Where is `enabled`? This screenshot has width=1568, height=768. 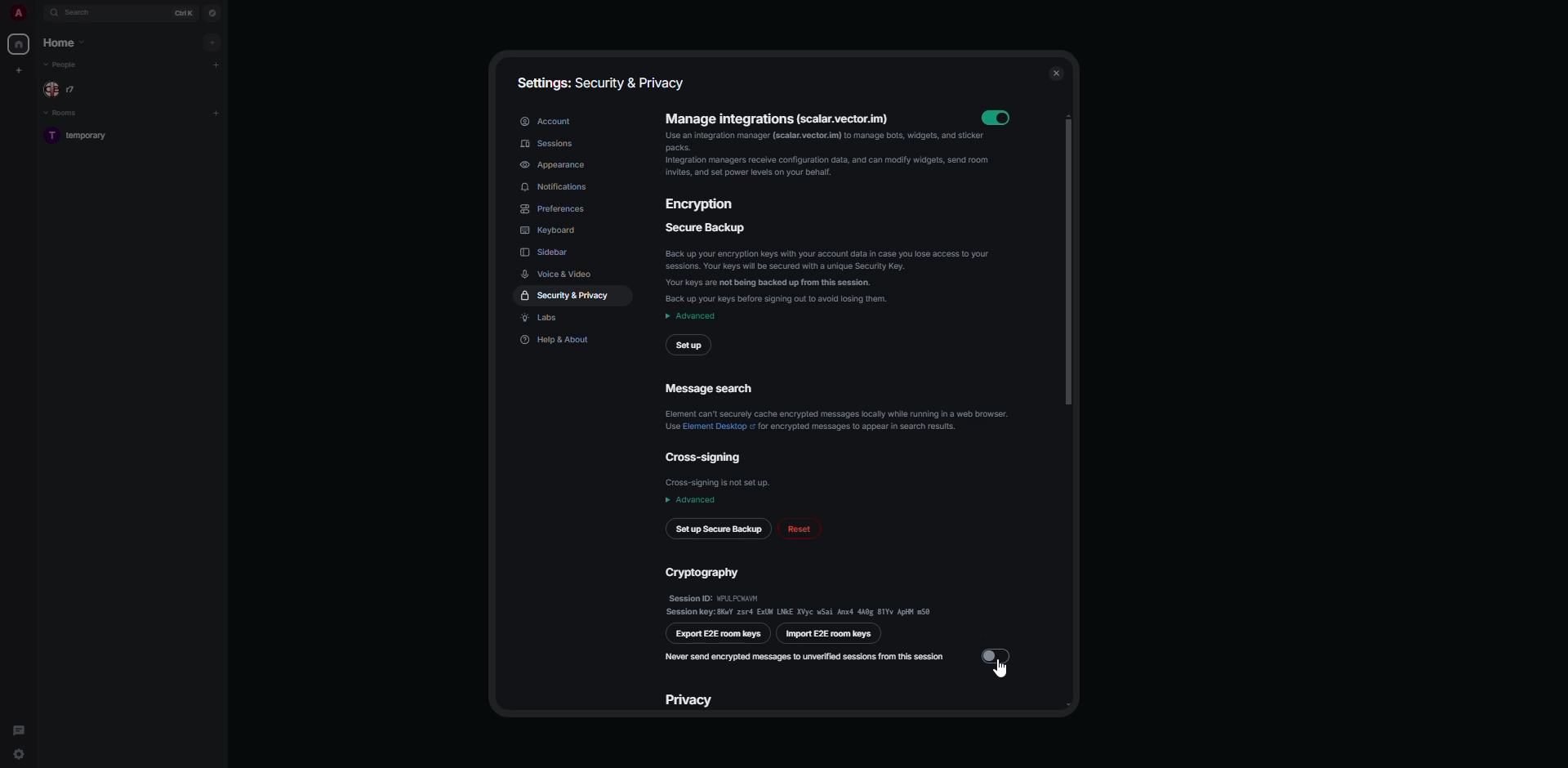
enabled is located at coordinates (1000, 118).